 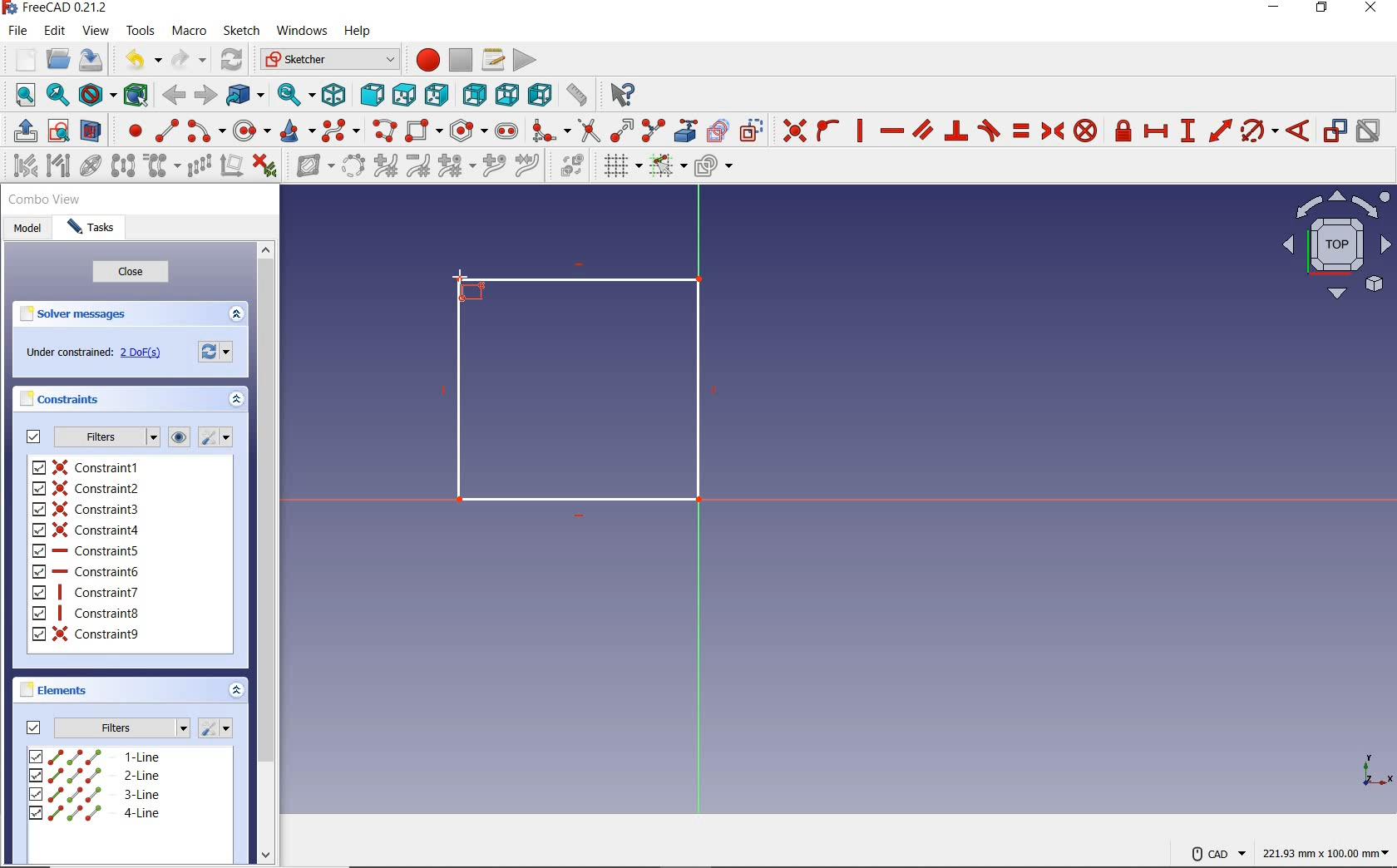 I want to click on remove axes alignment, so click(x=231, y=166).